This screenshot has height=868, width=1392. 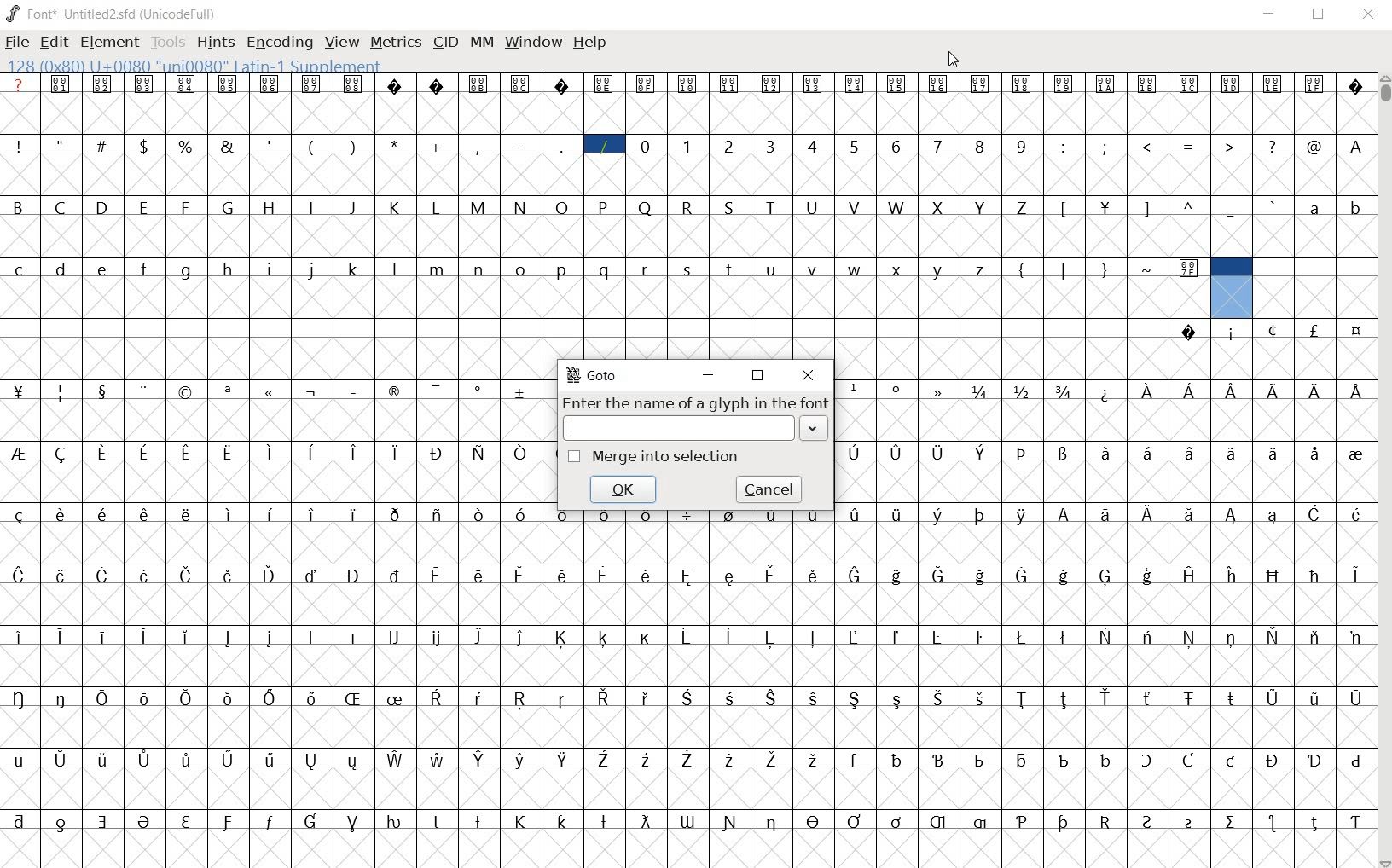 I want to click on Symbol, so click(x=438, y=512).